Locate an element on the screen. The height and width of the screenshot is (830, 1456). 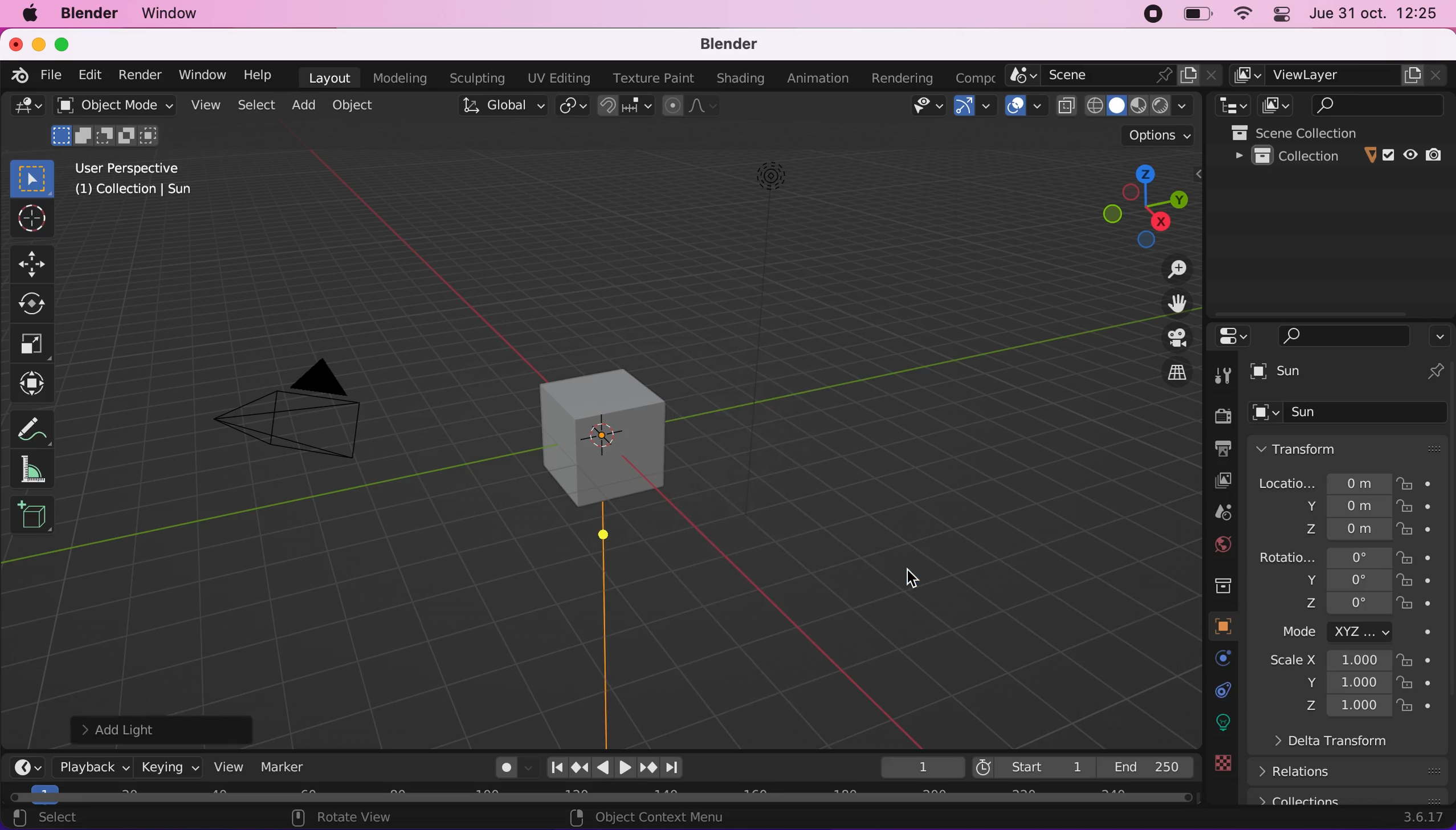
rendering is located at coordinates (895, 78).